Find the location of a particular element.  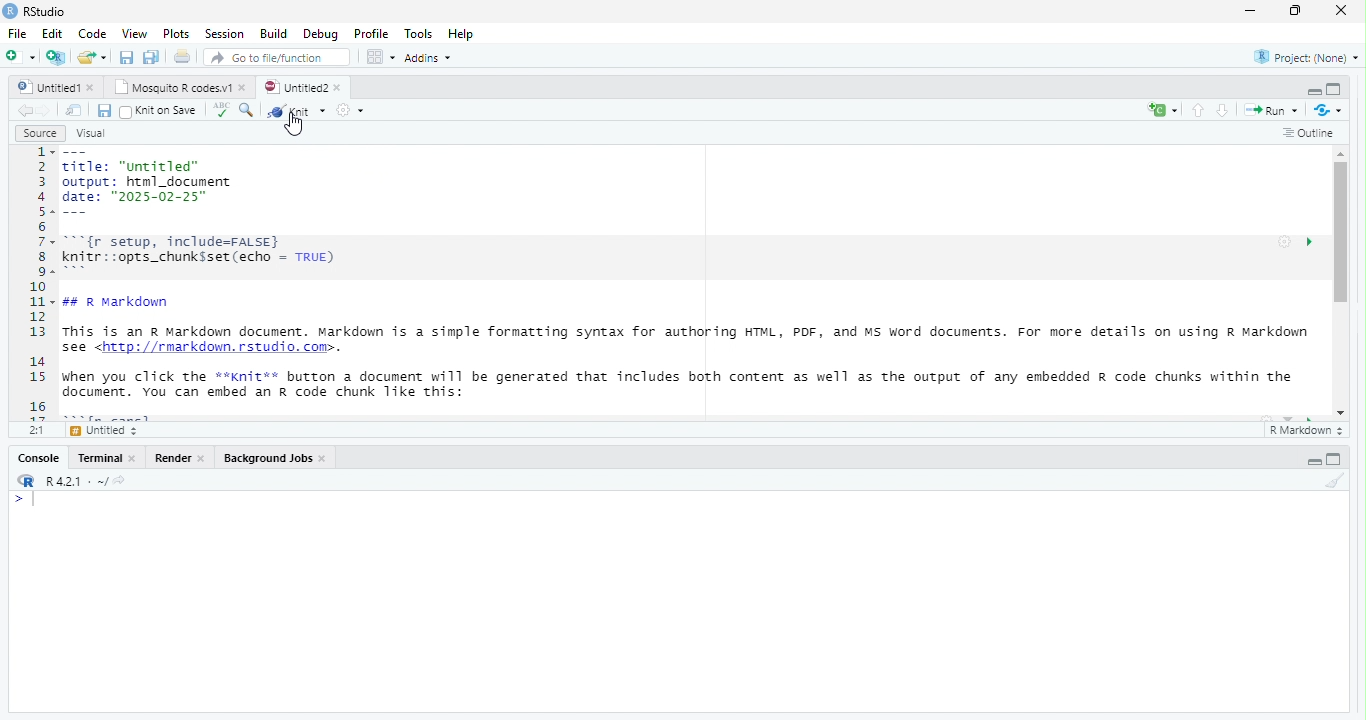

when you click the **knit** button a document will be generated that includes both content as well as the output of any embedded R code chunks within the document. You can embed an R code chunk like this is located at coordinates (686, 385).